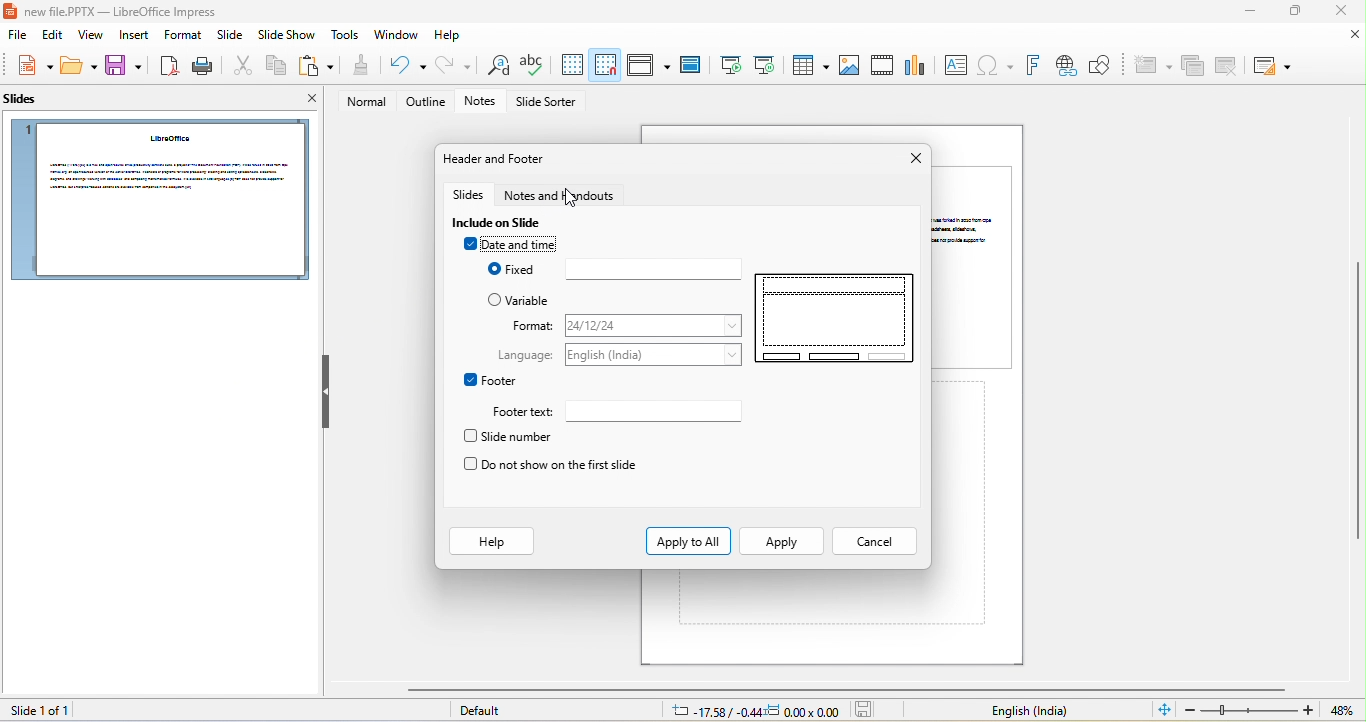 The image size is (1366, 722). Describe the element at coordinates (347, 36) in the screenshot. I see `tools` at that location.